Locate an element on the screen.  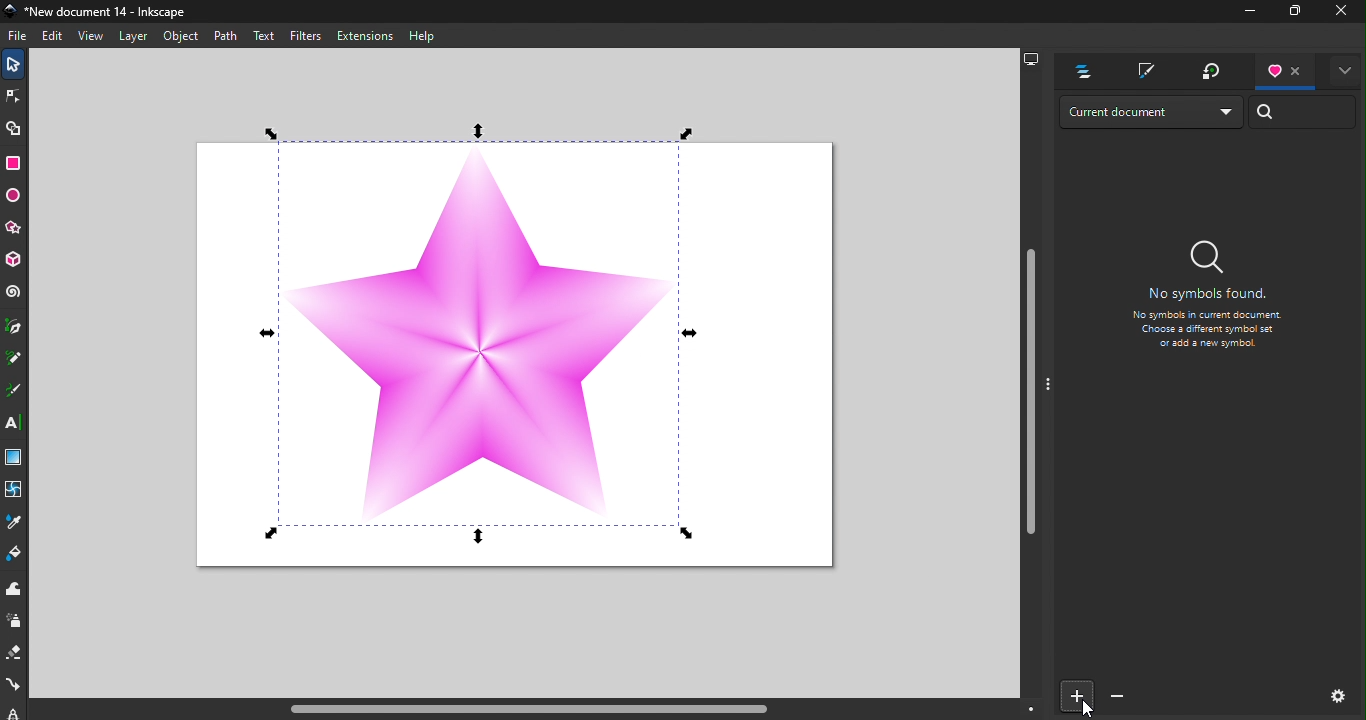
Tweak tool is located at coordinates (17, 587).